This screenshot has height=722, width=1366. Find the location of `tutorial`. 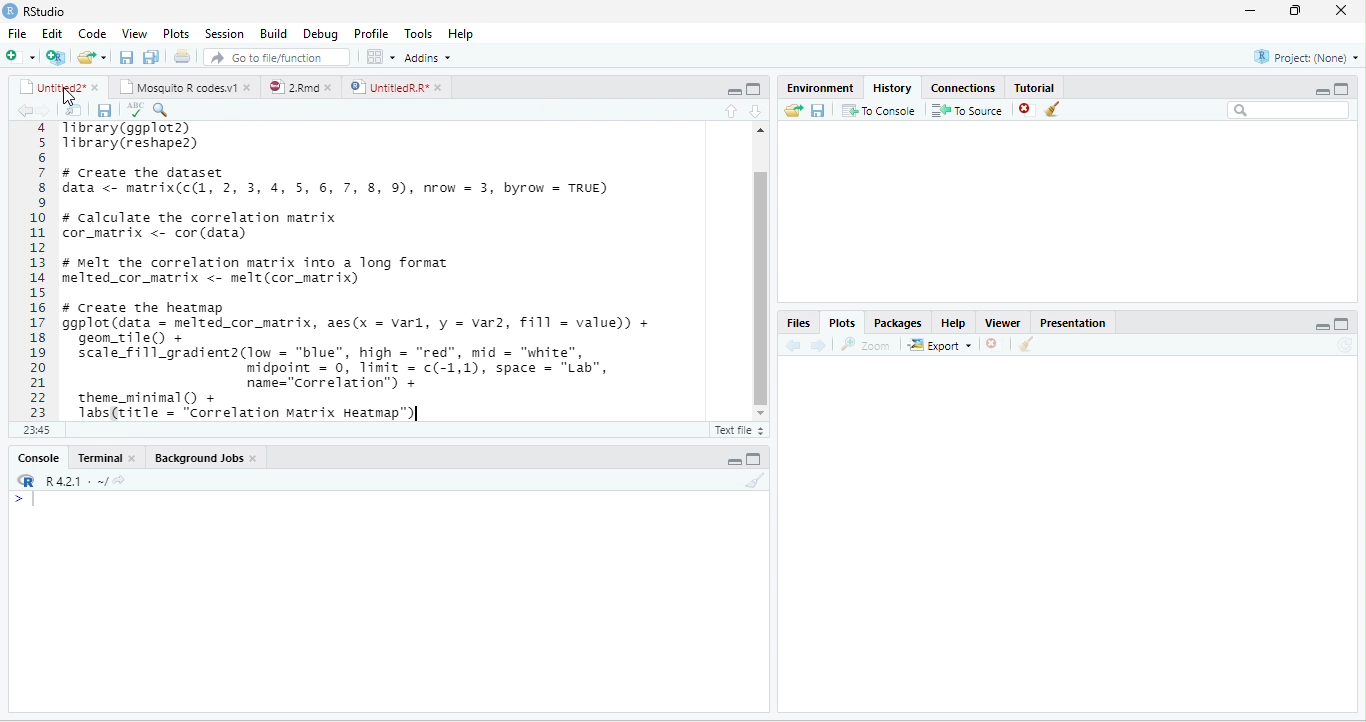

tutorial is located at coordinates (1062, 86).